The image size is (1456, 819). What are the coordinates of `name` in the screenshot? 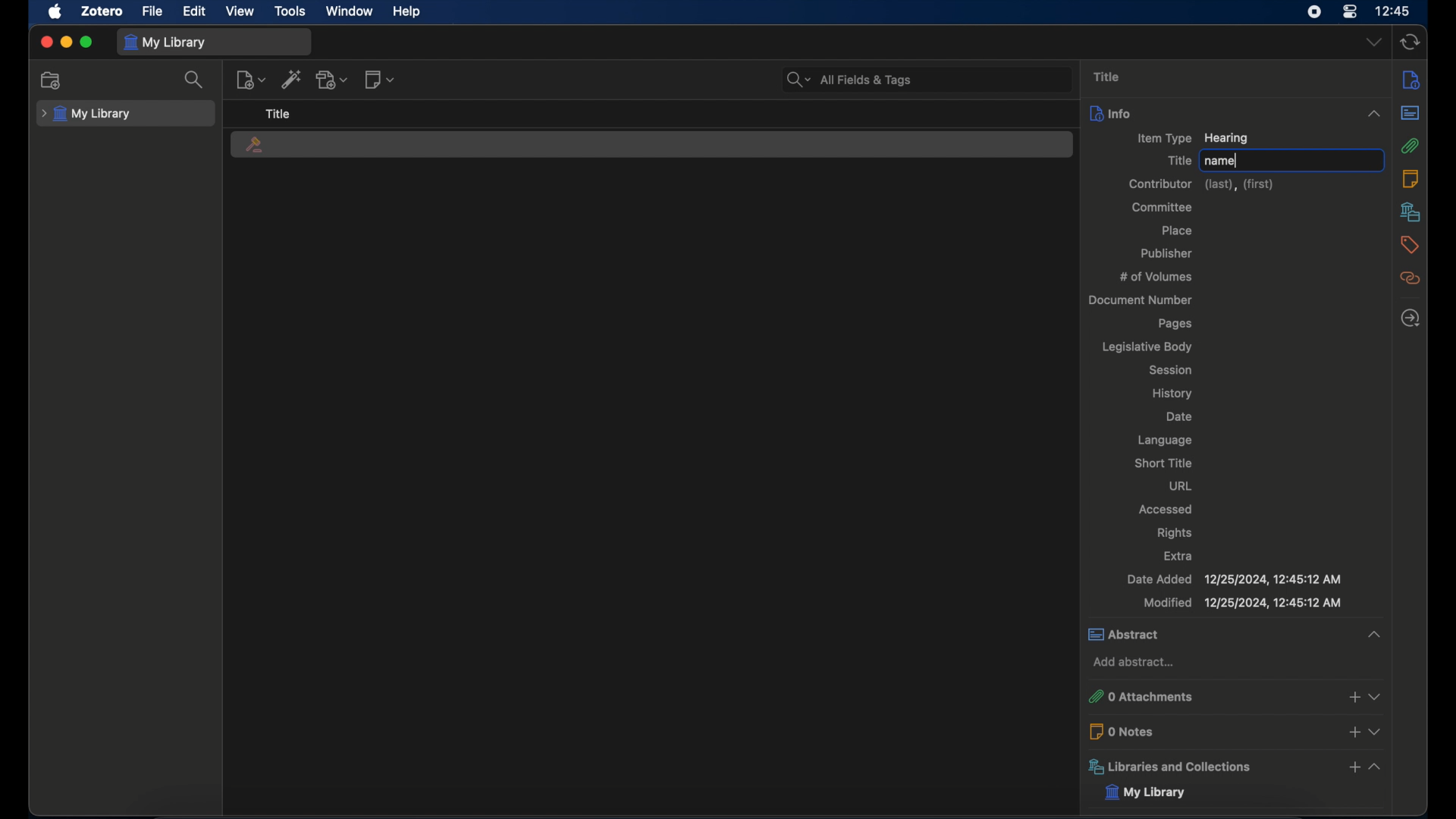 It's located at (1219, 162).